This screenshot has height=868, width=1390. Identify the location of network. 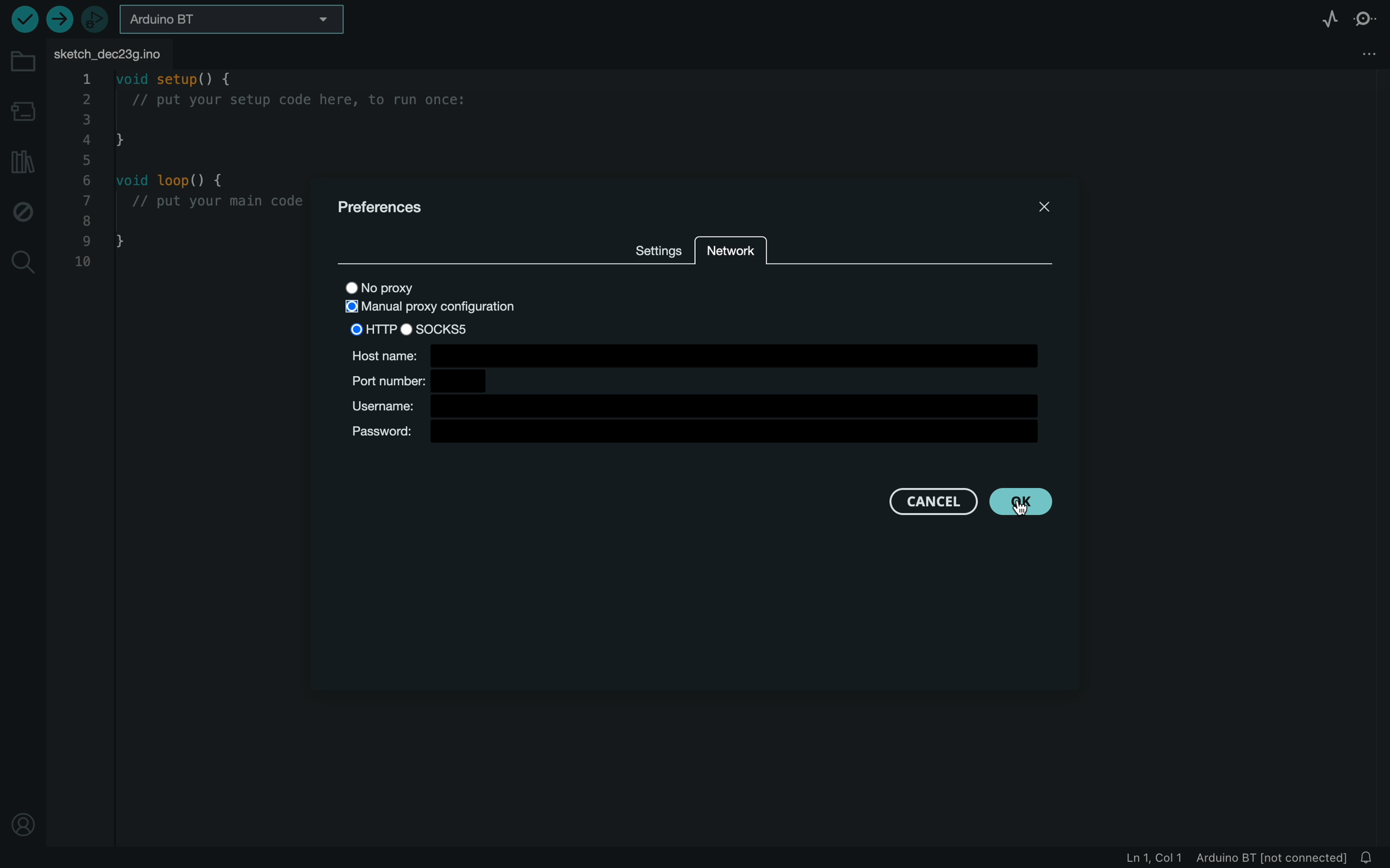
(735, 254).